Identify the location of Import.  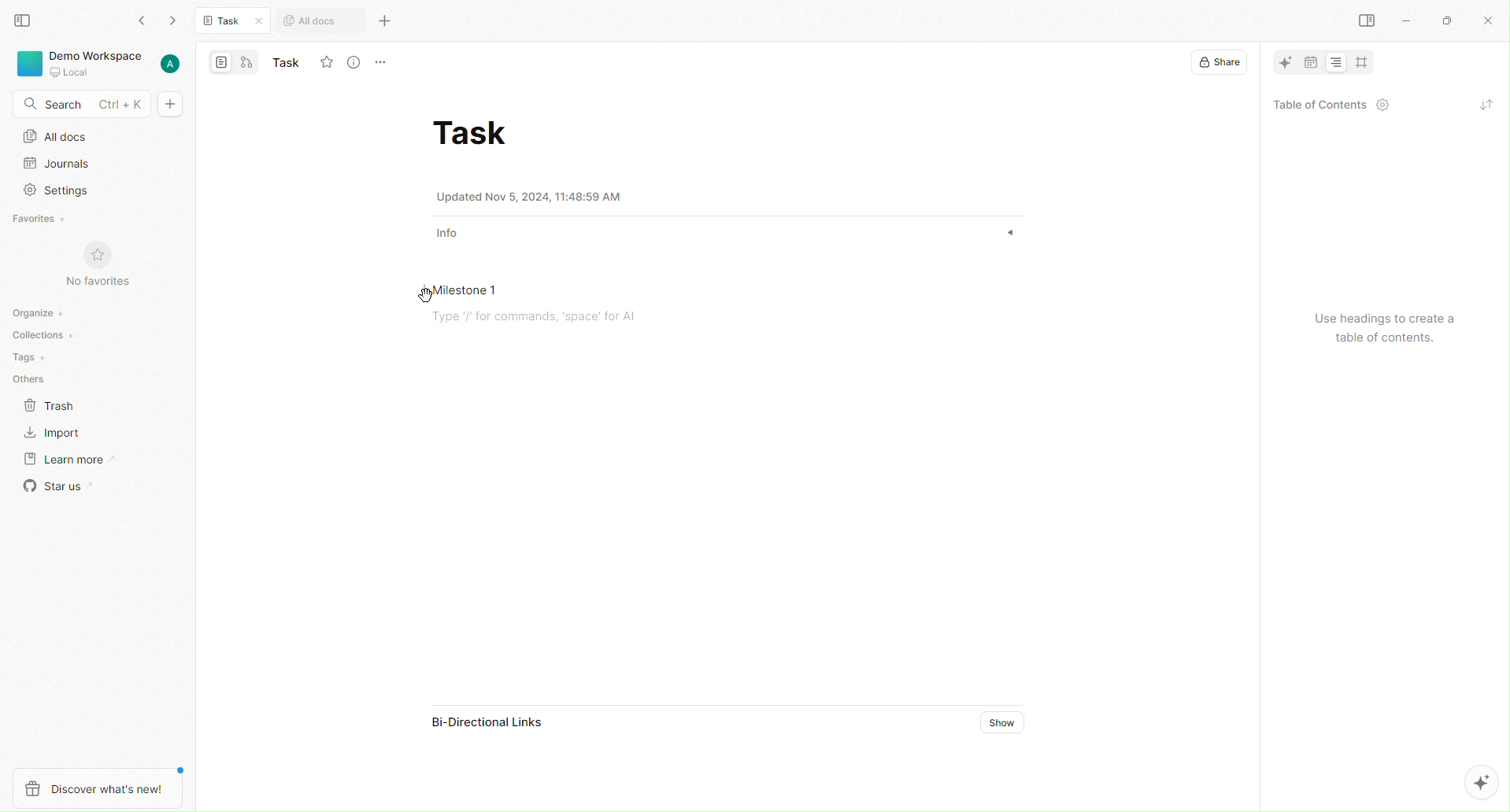
(59, 434).